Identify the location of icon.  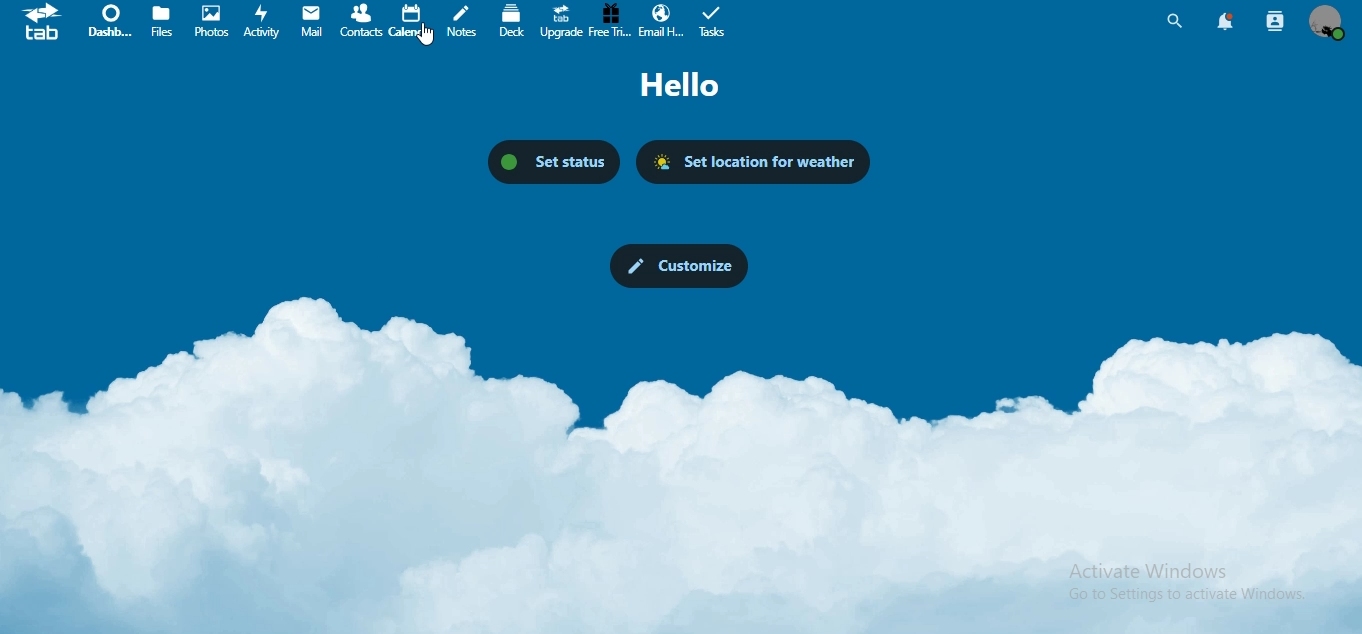
(43, 26).